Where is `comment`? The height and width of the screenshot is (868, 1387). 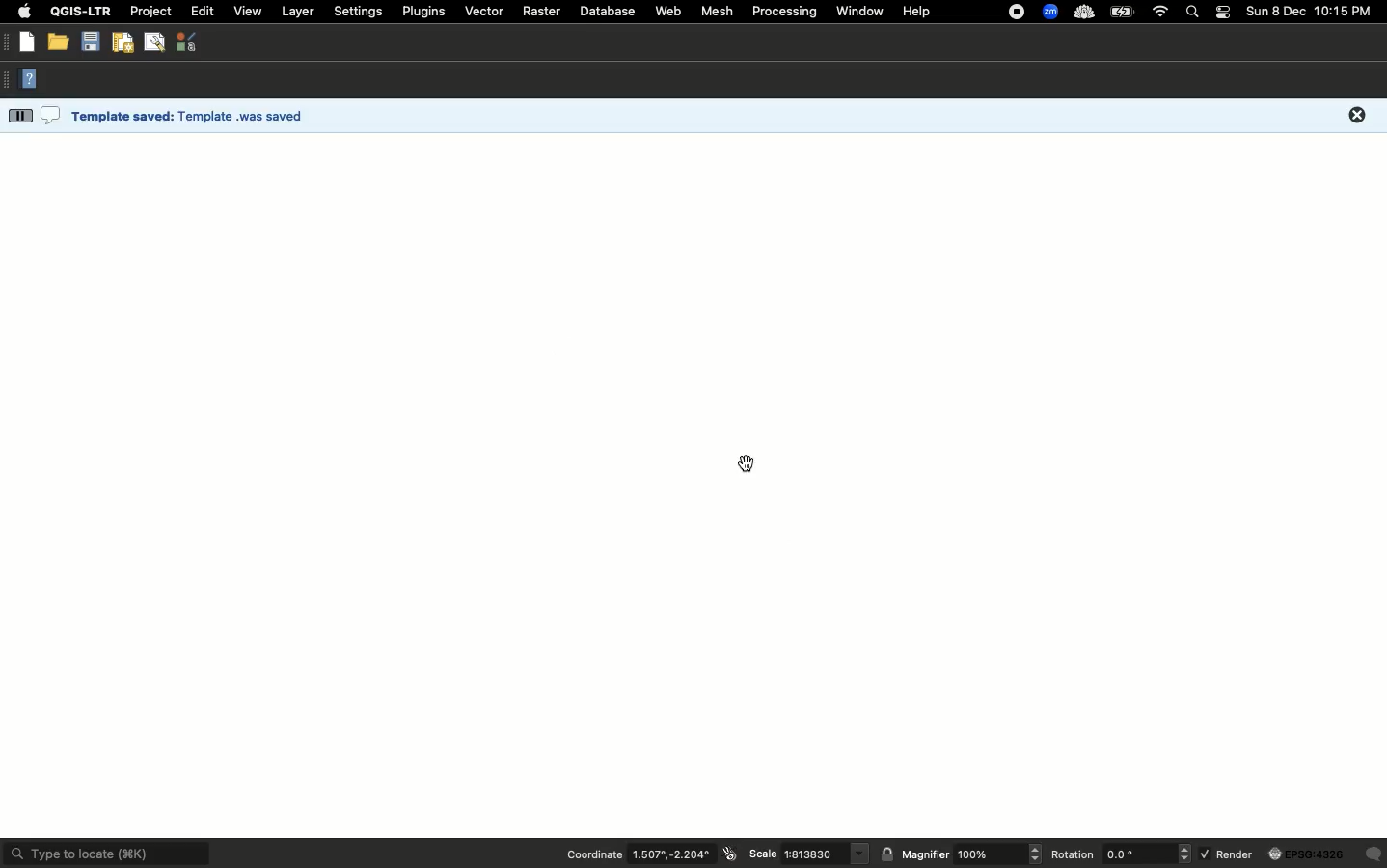
comment is located at coordinates (50, 116).